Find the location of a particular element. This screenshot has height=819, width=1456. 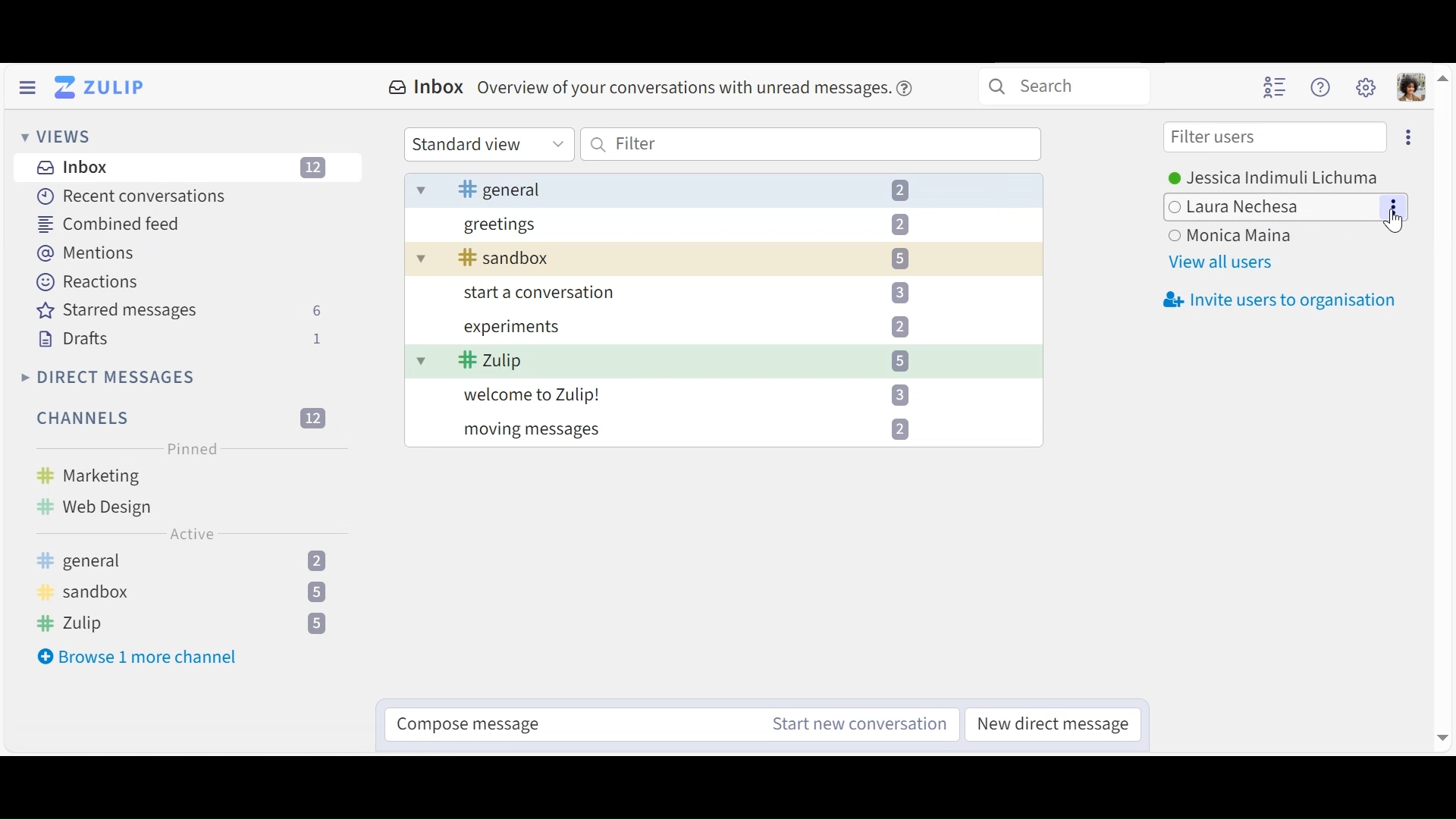

Hide user list is located at coordinates (1272, 86).